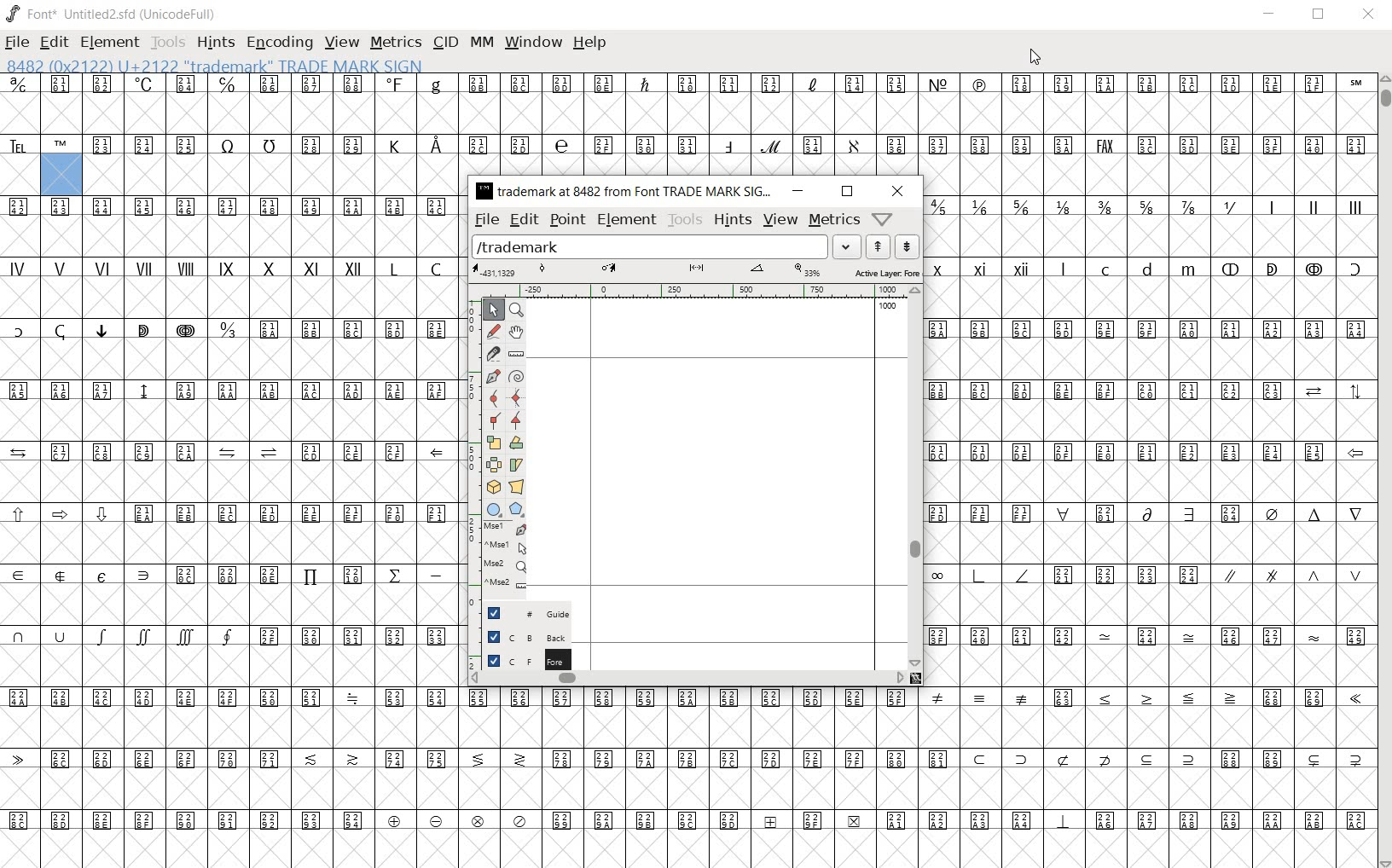 This screenshot has width=1392, height=868. I want to click on symbols, so click(1151, 605).